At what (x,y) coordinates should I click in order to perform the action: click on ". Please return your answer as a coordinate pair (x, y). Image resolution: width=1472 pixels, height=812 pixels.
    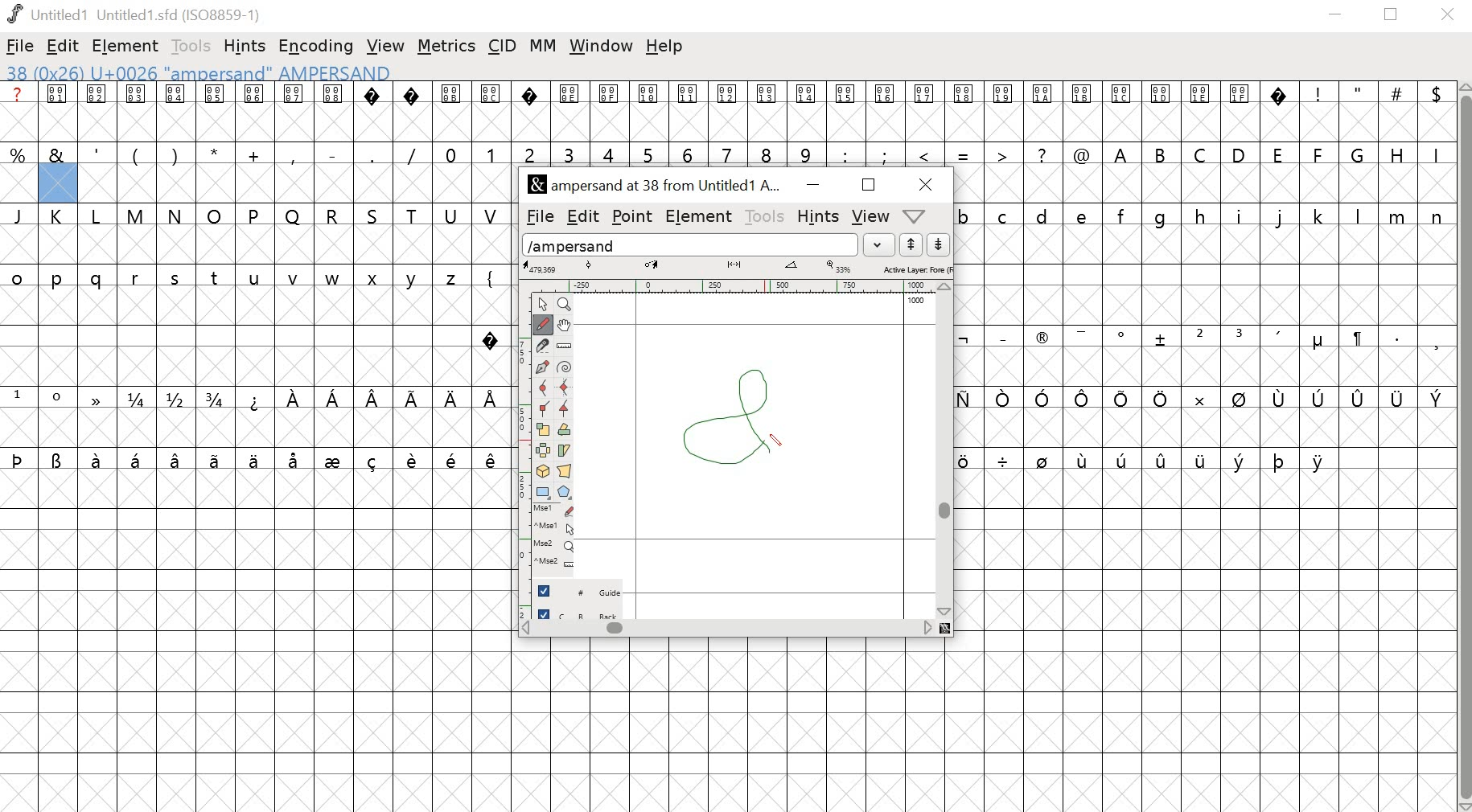
    Looking at the image, I should click on (1359, 113).